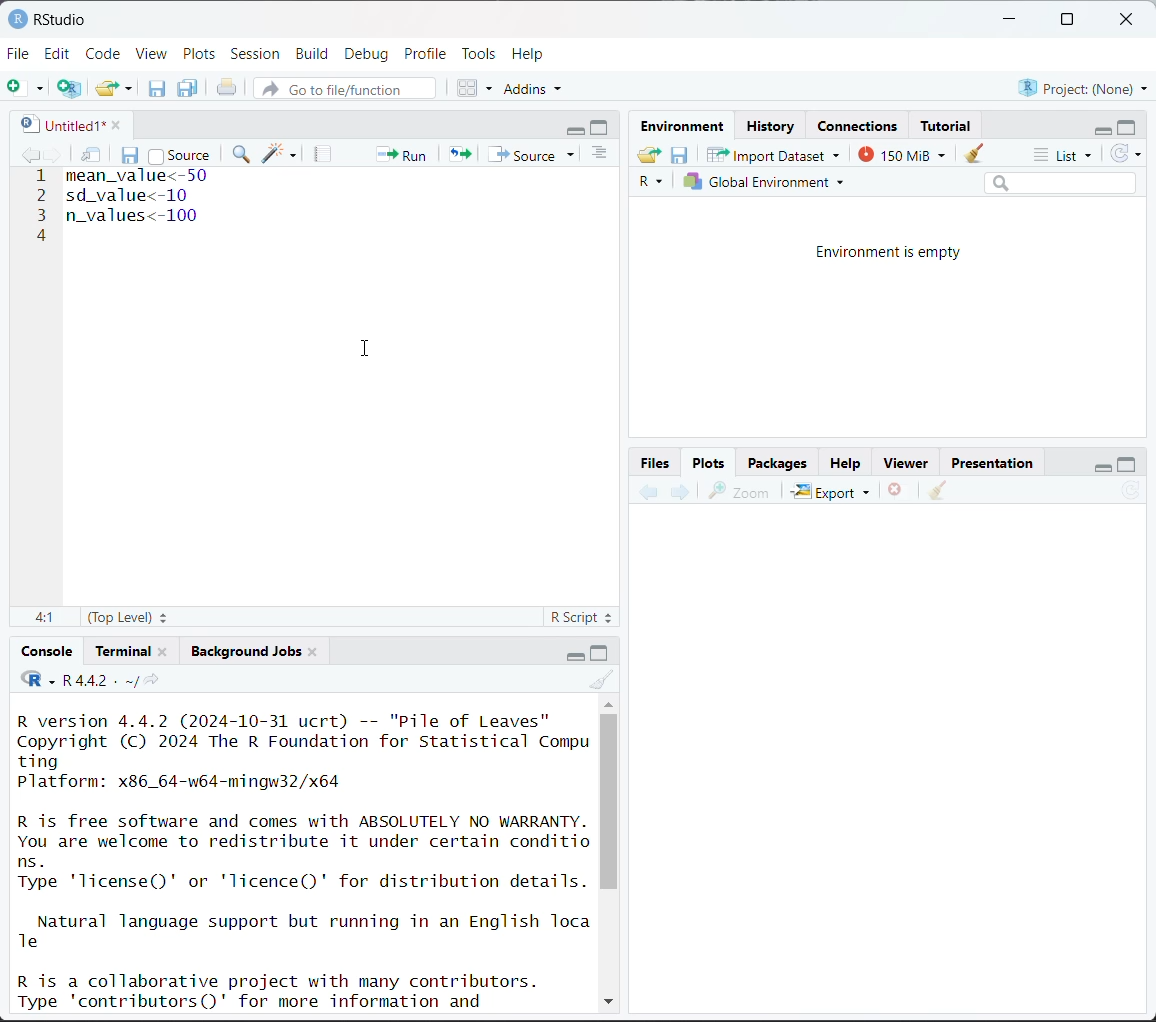 This screenshot has width=1156, height=1022. What do you see at coordinates (130, 617) in the screenshot?
I see `(top level)` at bounding box center [130, 617].